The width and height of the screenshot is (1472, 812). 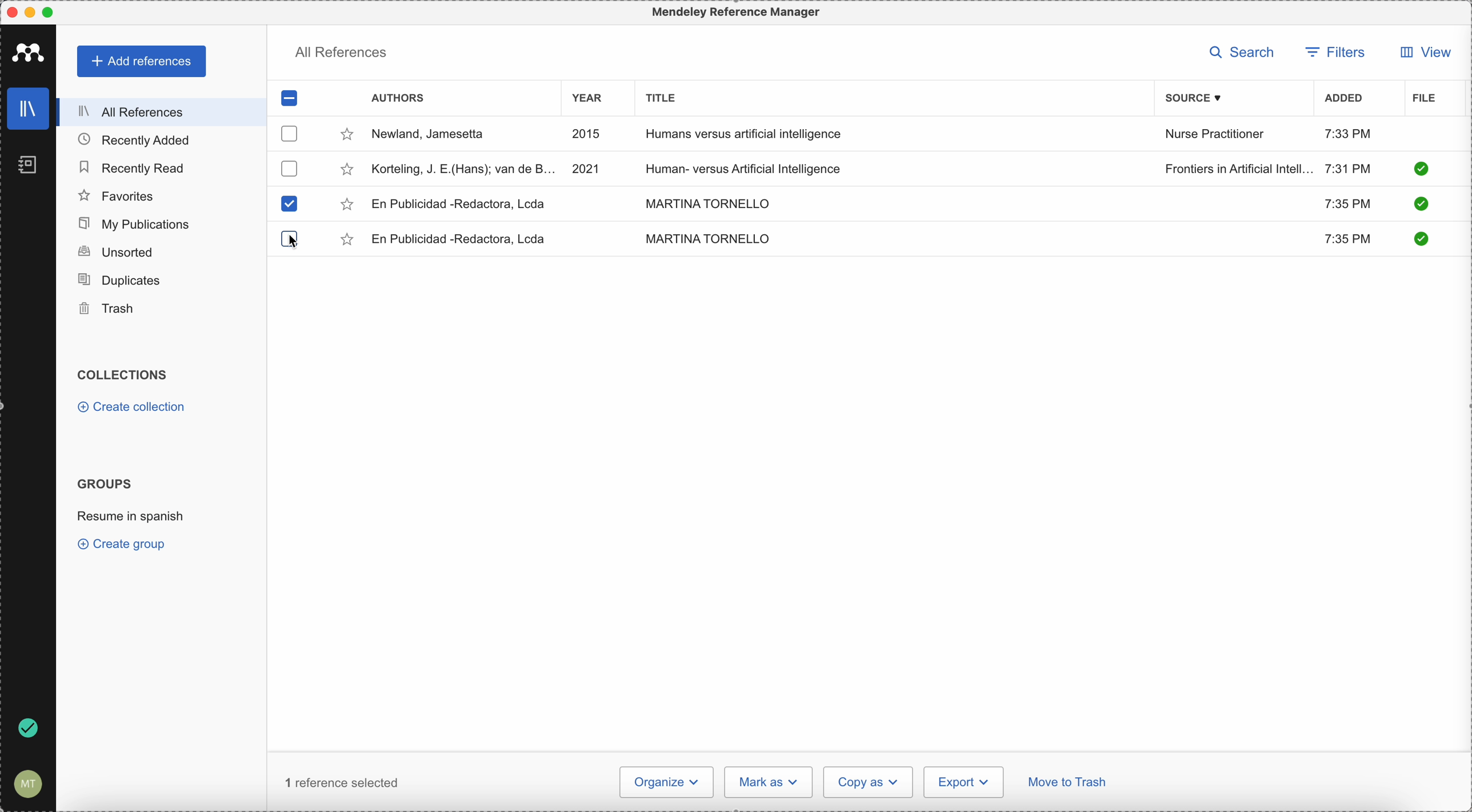 I want to click on Korteling, J.E.(Hans), so click(x=464, y=169).